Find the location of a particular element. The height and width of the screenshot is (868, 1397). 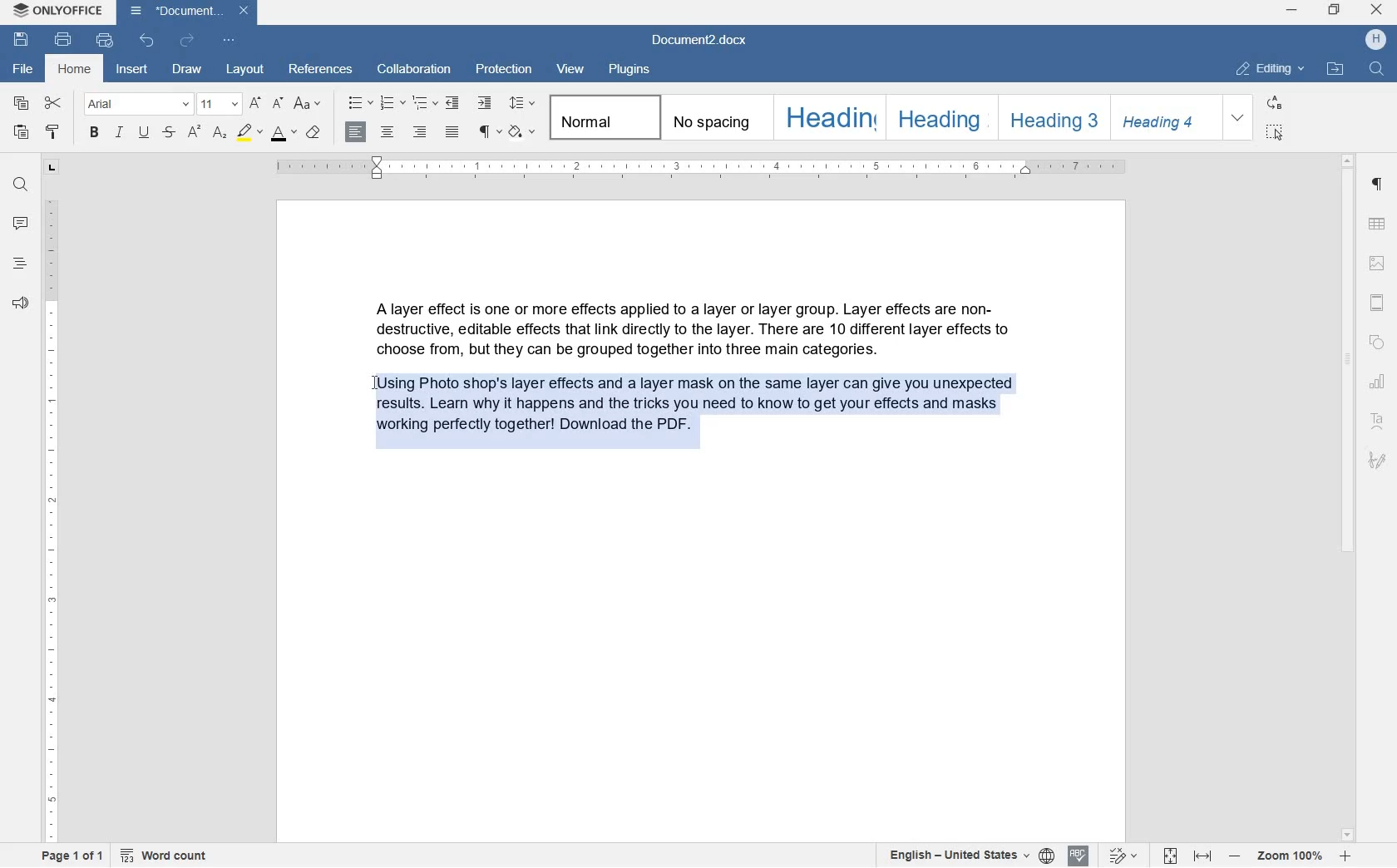

INSERT is located at coordinates (133, 72).